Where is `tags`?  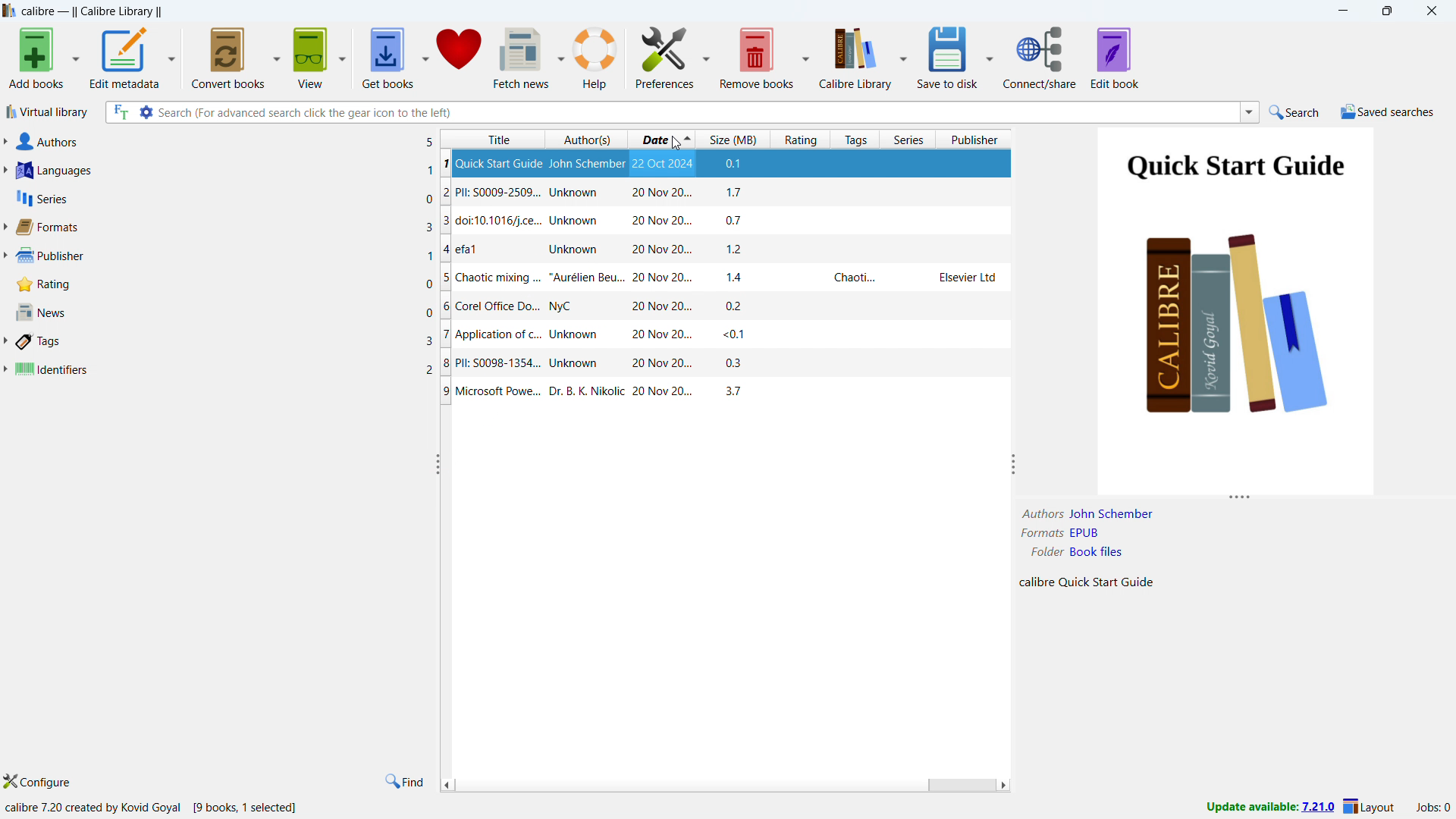
tags is located at coordinates (855, 140).